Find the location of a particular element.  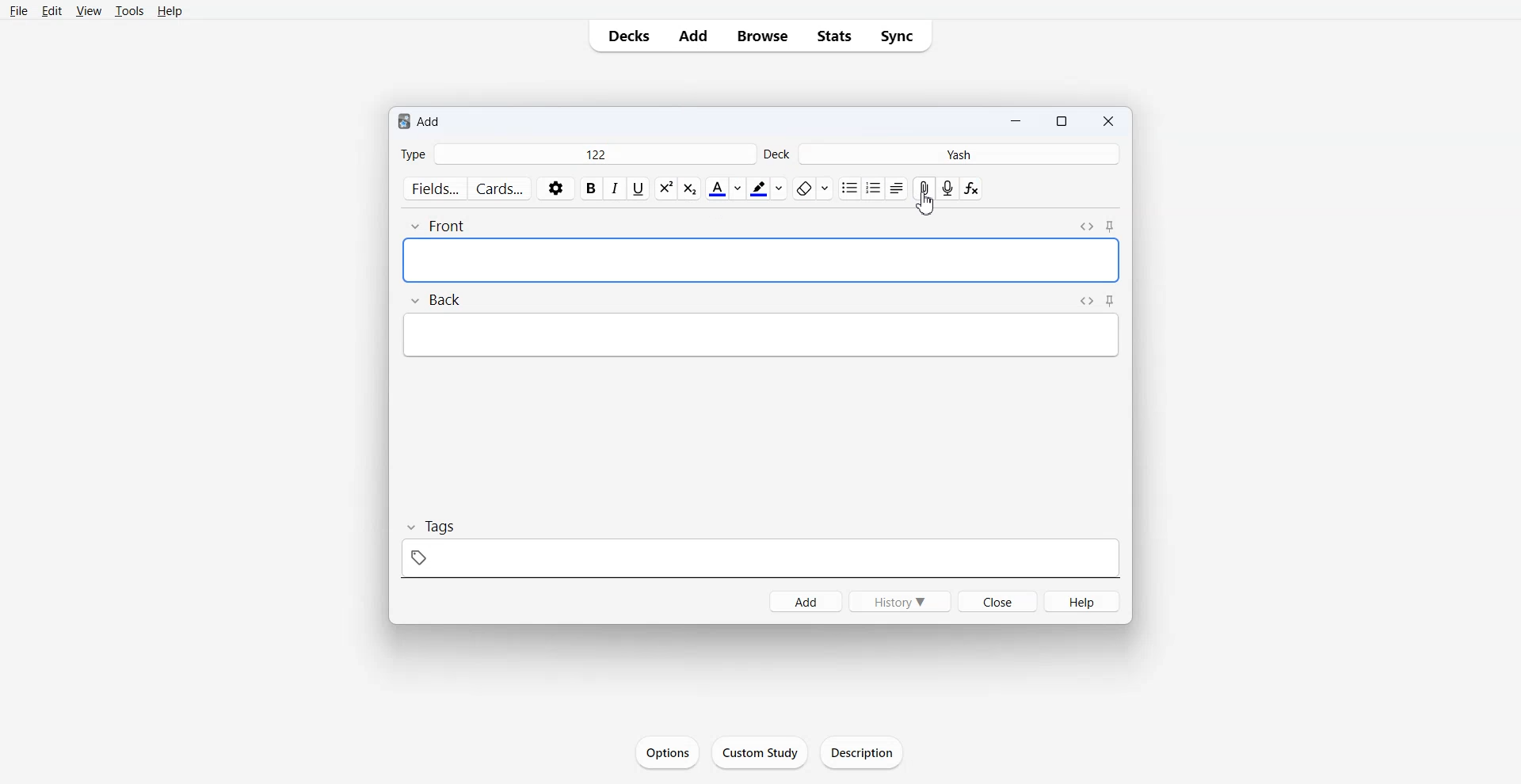

Add is located at coordinates (694, 36).